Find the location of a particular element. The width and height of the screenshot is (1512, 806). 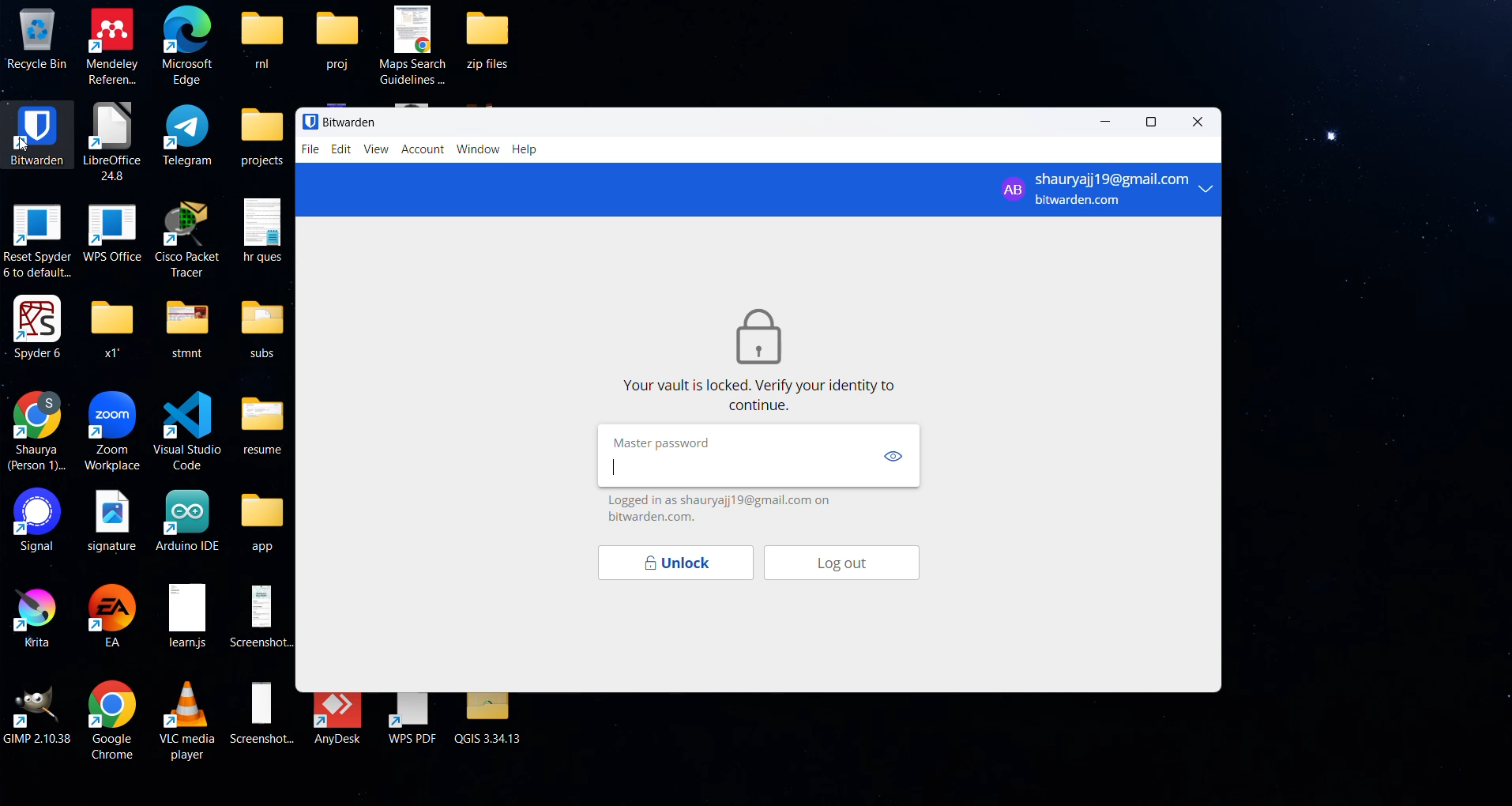

hr ques is located at coordinates (263, 229).